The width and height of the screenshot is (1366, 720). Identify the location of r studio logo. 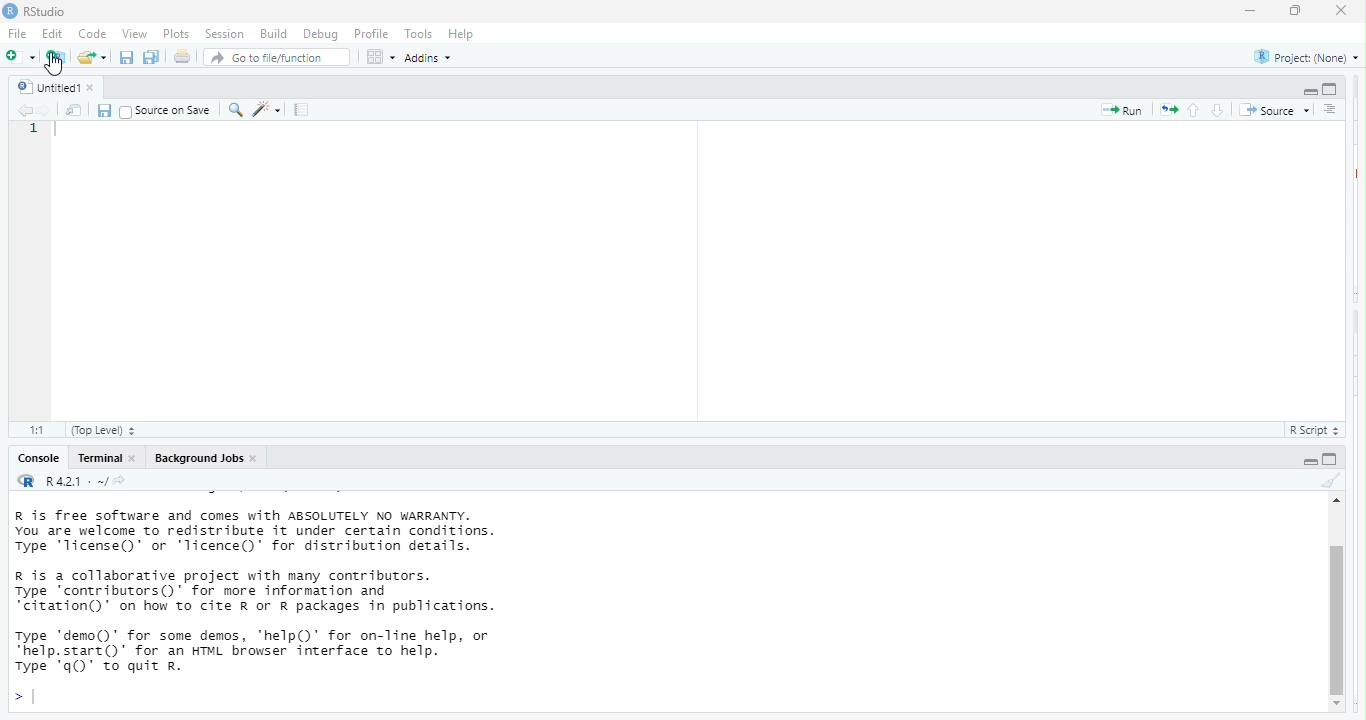
(27, 482).